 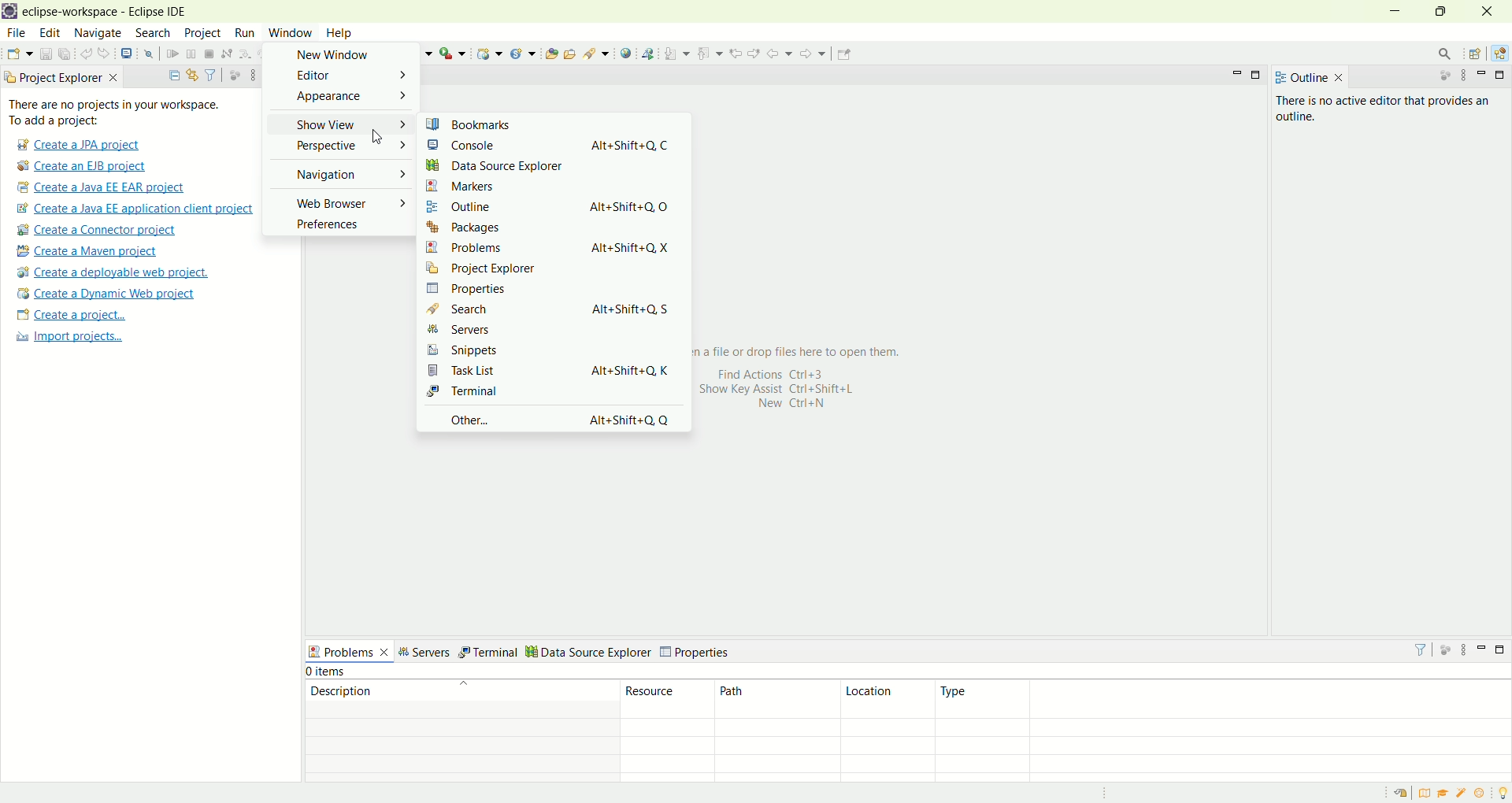 I want to click on terminal, so click(x=489, y=650).